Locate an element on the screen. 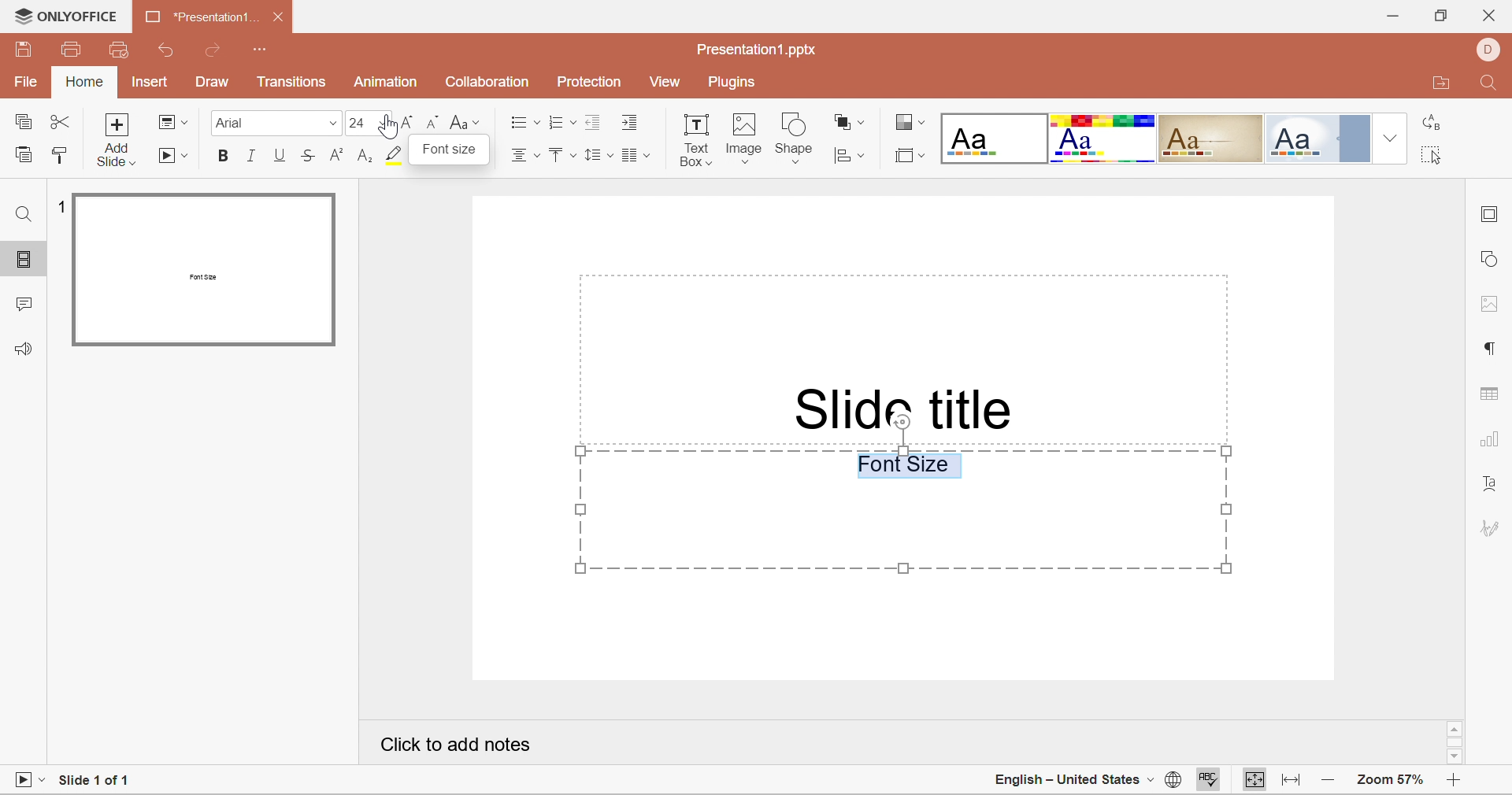 The height and width of the screenshot is (795, 1512). Align shape is located at coordinates (848, 157).